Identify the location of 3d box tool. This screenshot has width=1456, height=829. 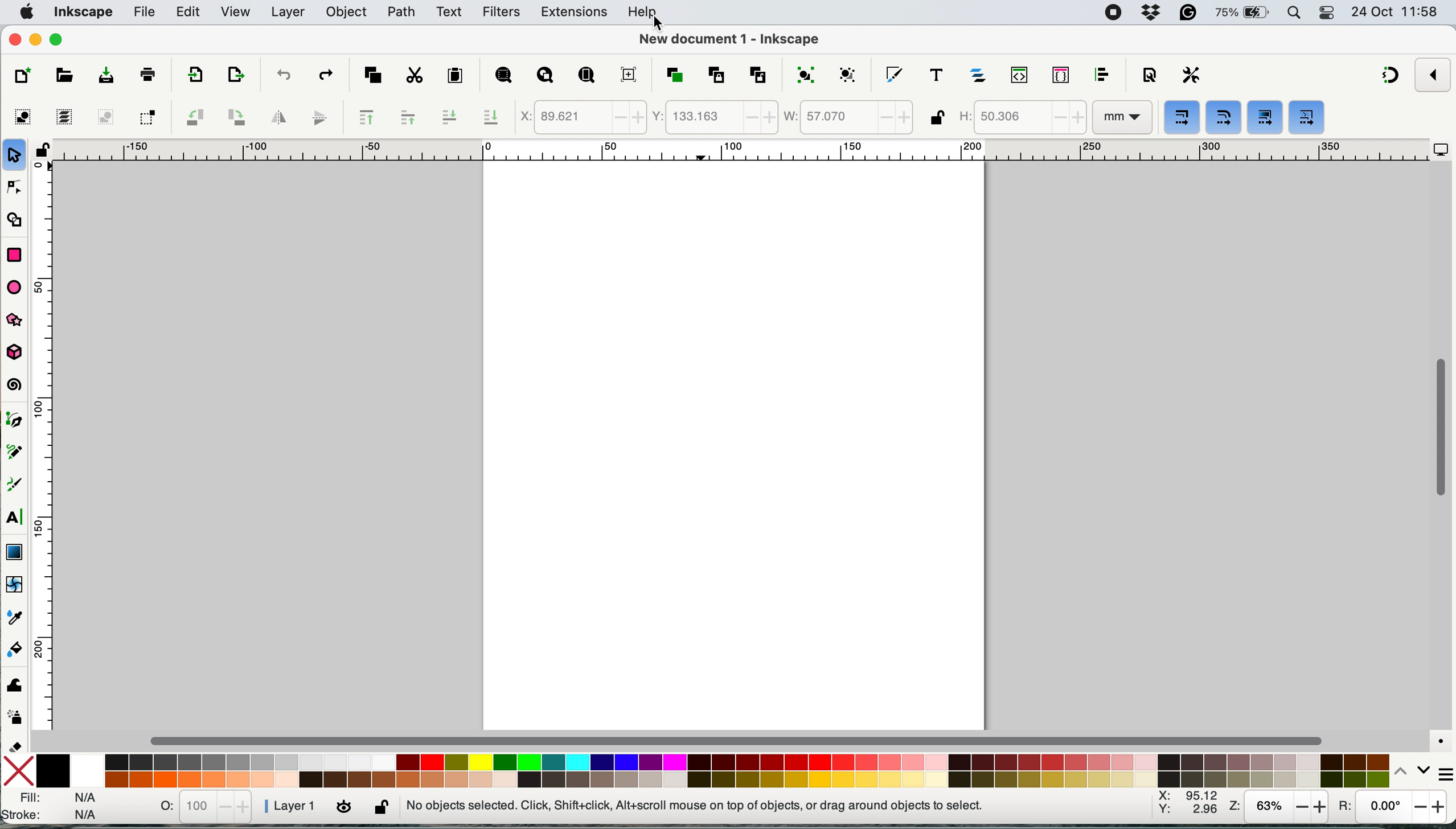
(15, 354).